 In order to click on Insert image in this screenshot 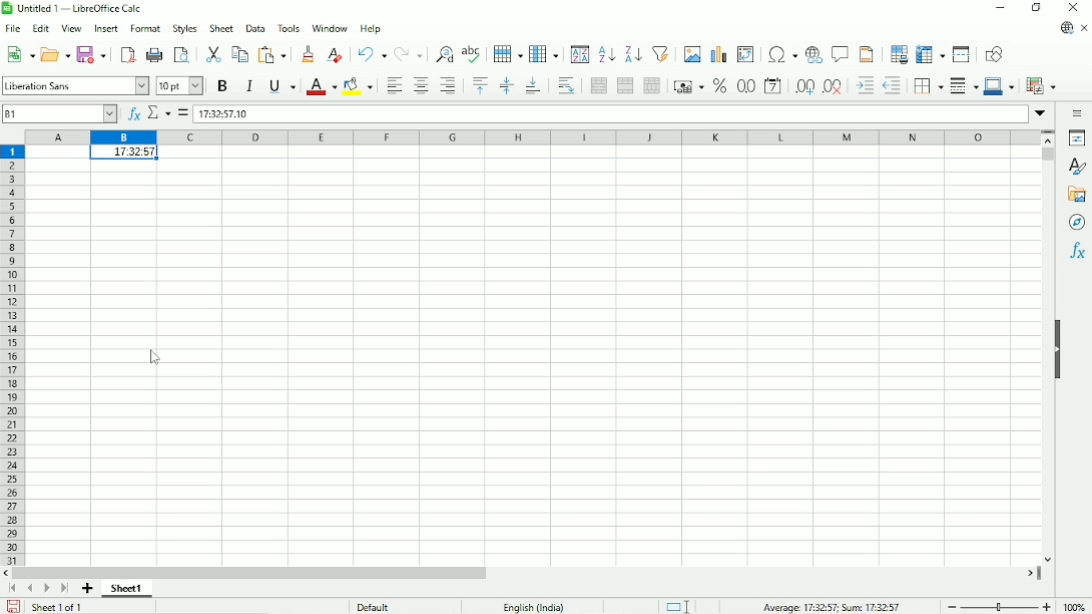, I will do `click(692, 53)`.